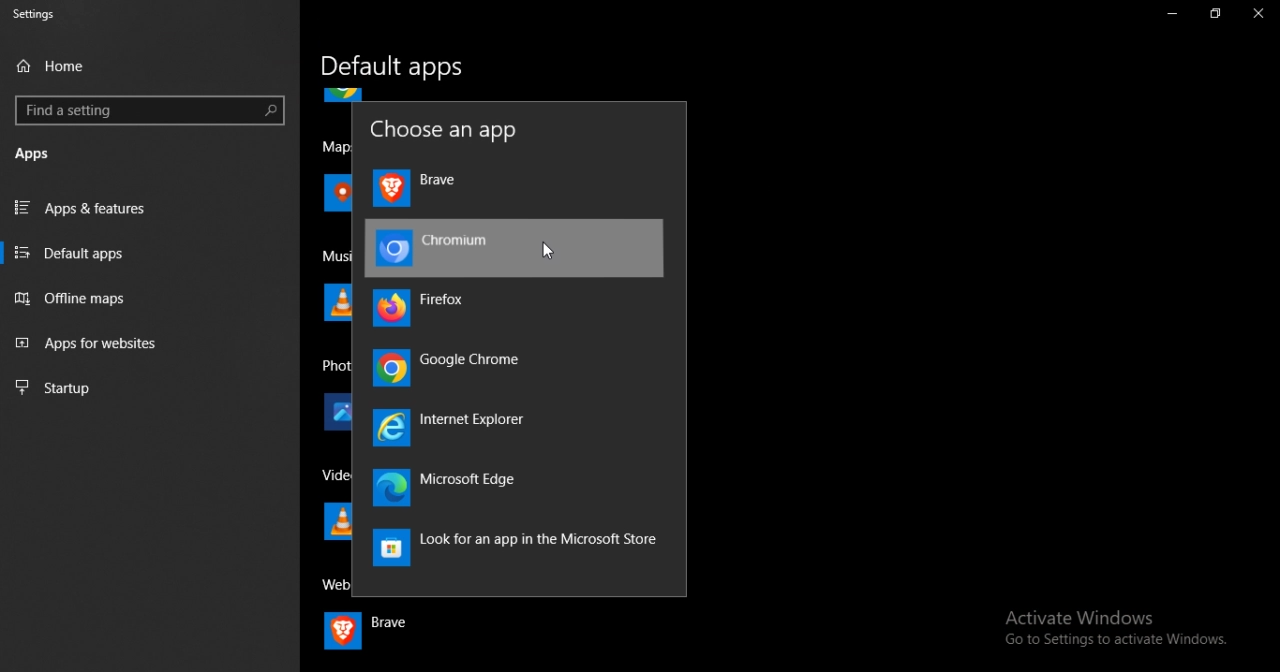  What do you see at coordinates (344, 96) in the screenshot?
I see `icon` at bounding box center [344, 96].